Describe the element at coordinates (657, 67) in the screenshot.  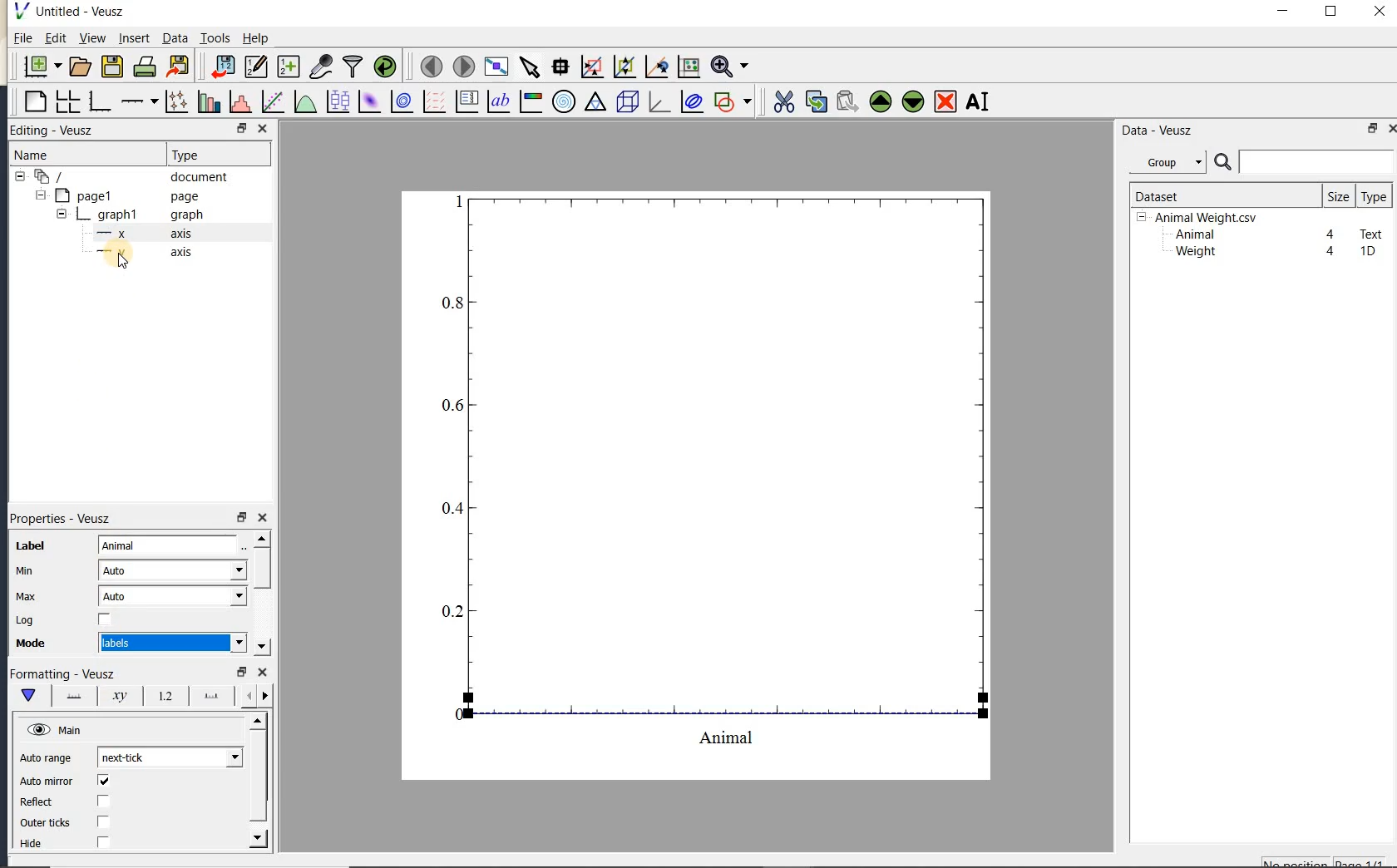
I see `click to recenter graph axes` at that location.